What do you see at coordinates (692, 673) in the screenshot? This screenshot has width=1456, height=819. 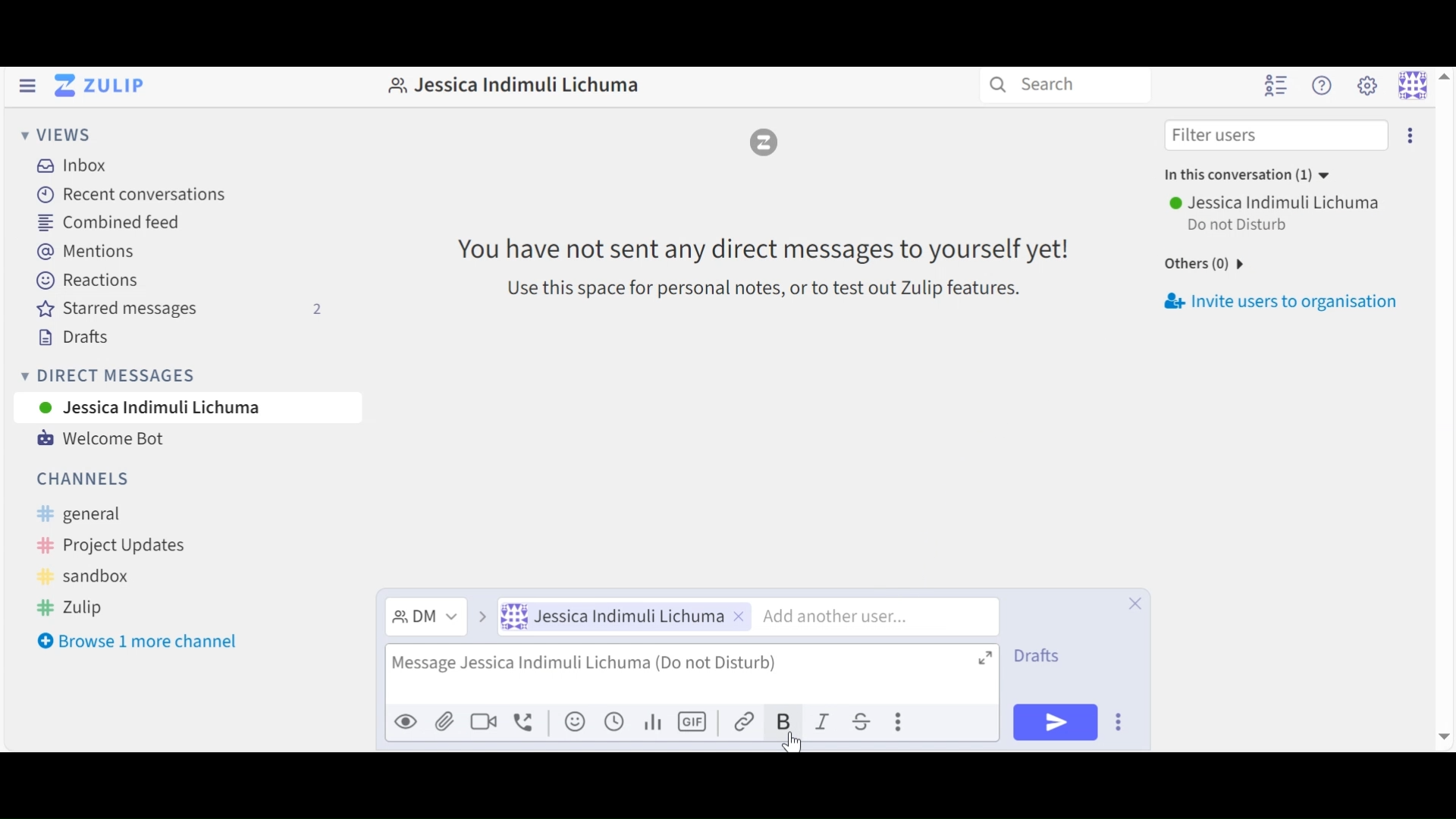 I see `Message` at bounding box center [692, 673].